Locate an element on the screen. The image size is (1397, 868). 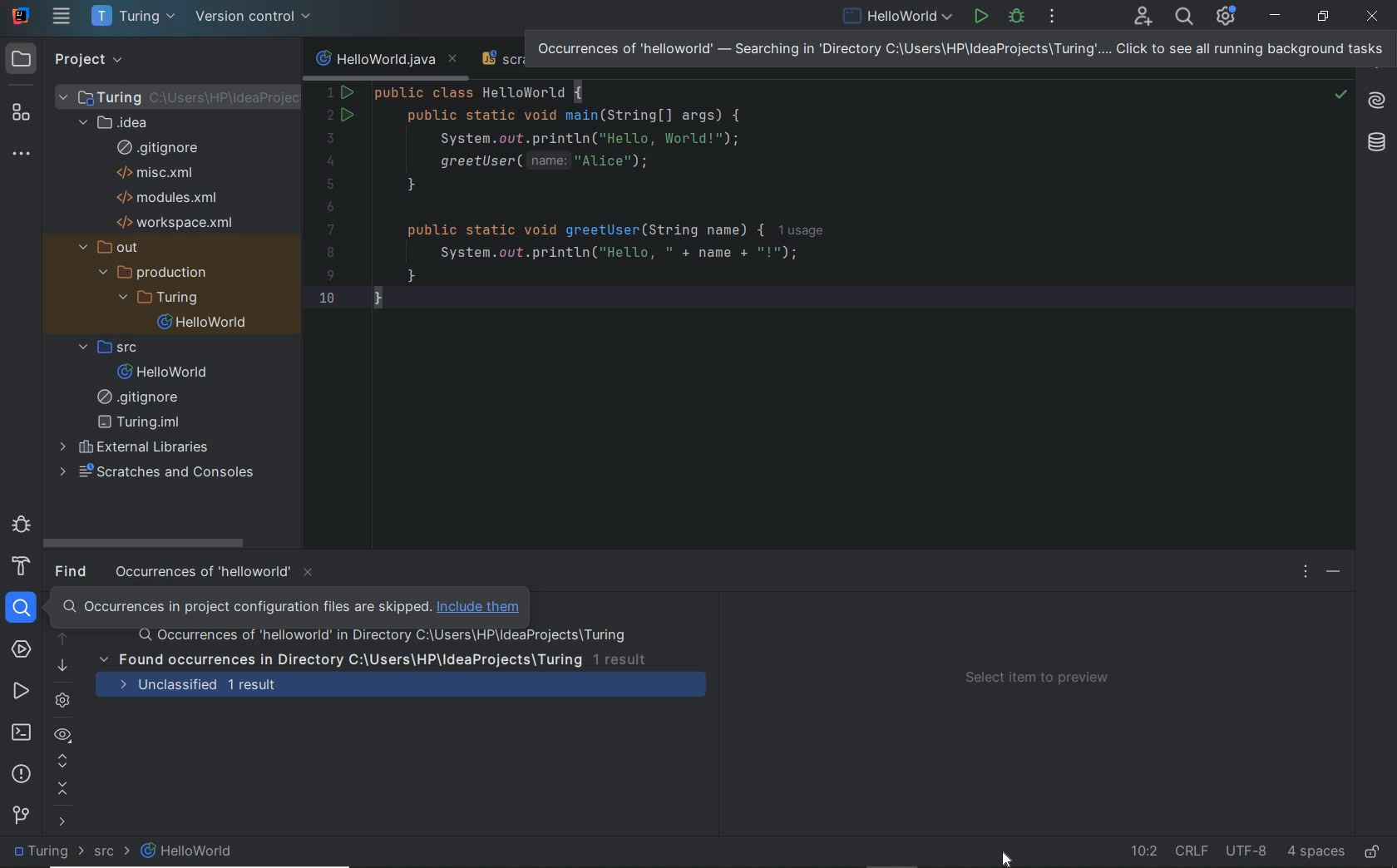
unclassified 1 result is located at coordinates (409, 686).